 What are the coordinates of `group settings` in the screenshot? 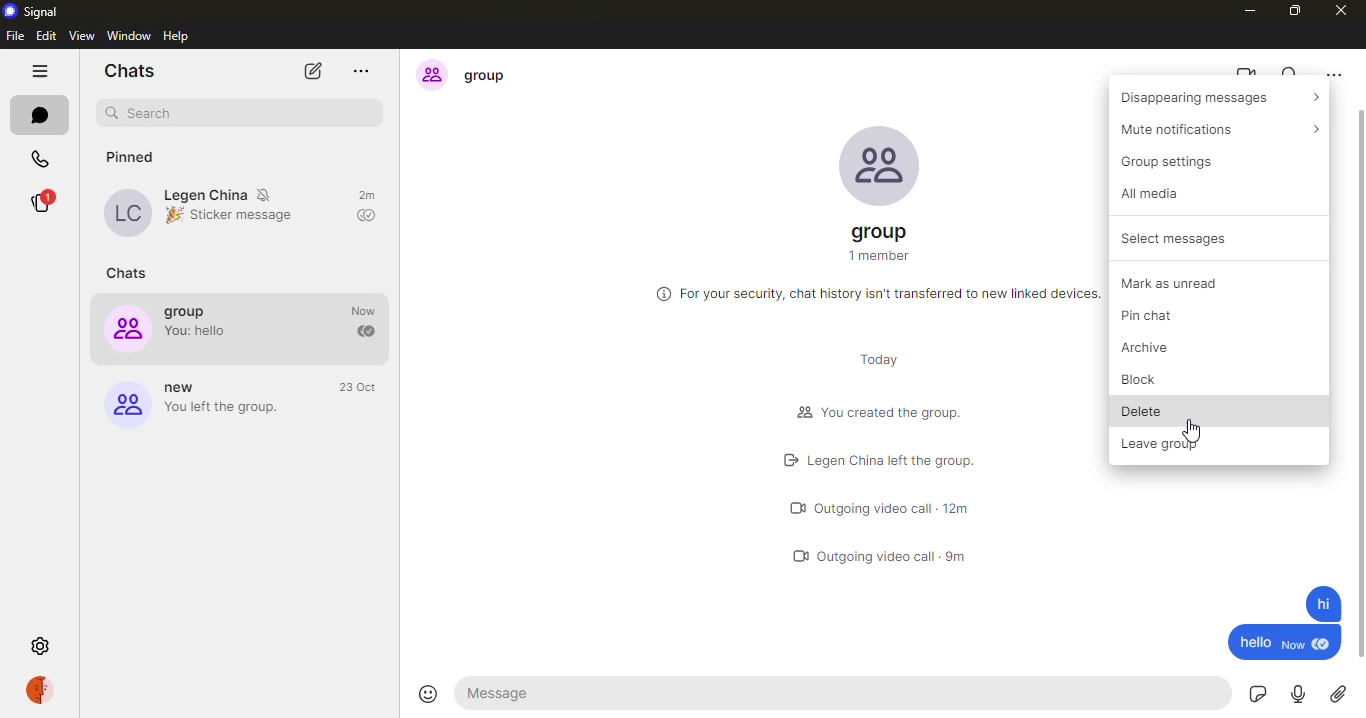 It's located at (1173, 162).